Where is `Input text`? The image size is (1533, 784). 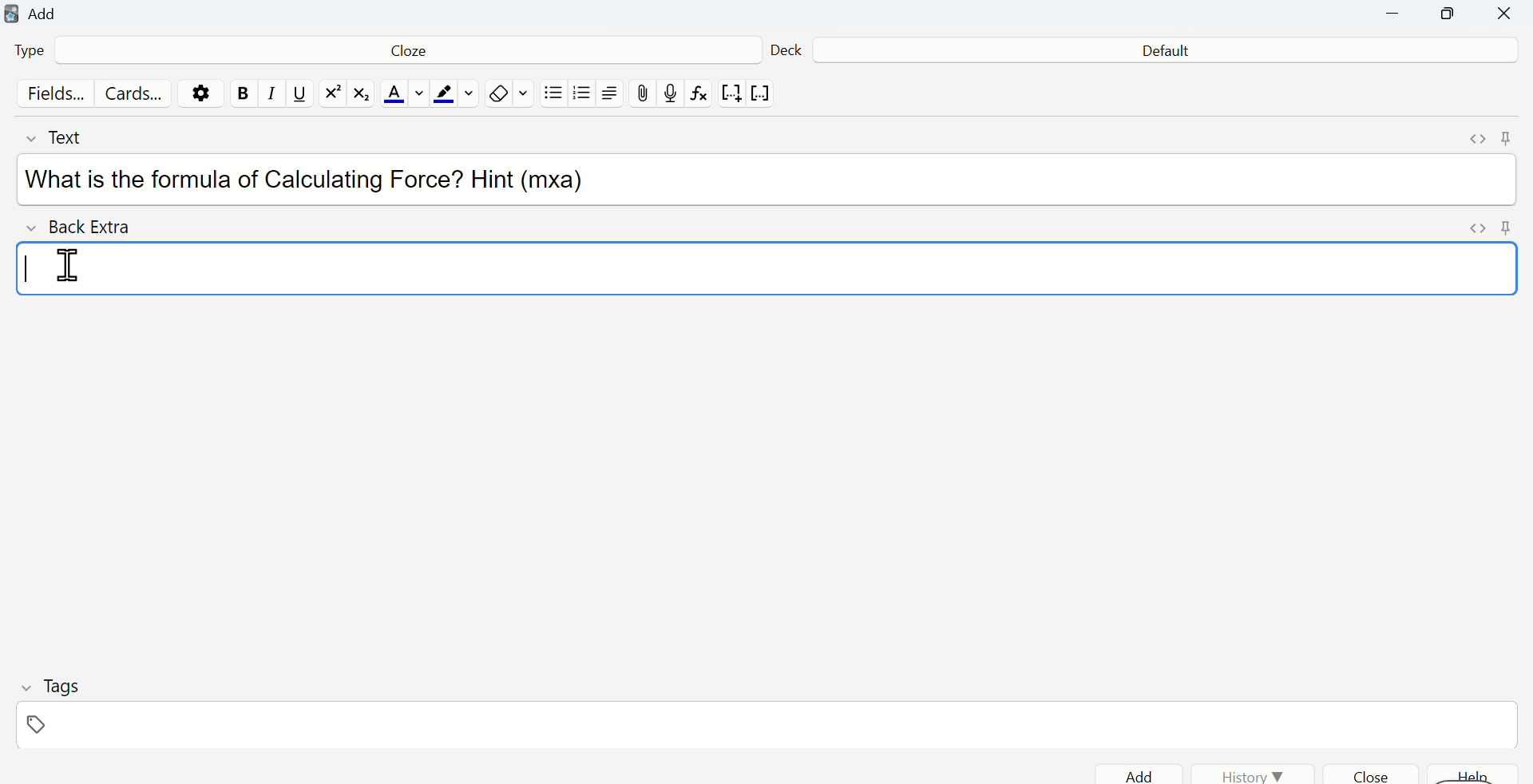
Input text is located at coordinates (788, 269).